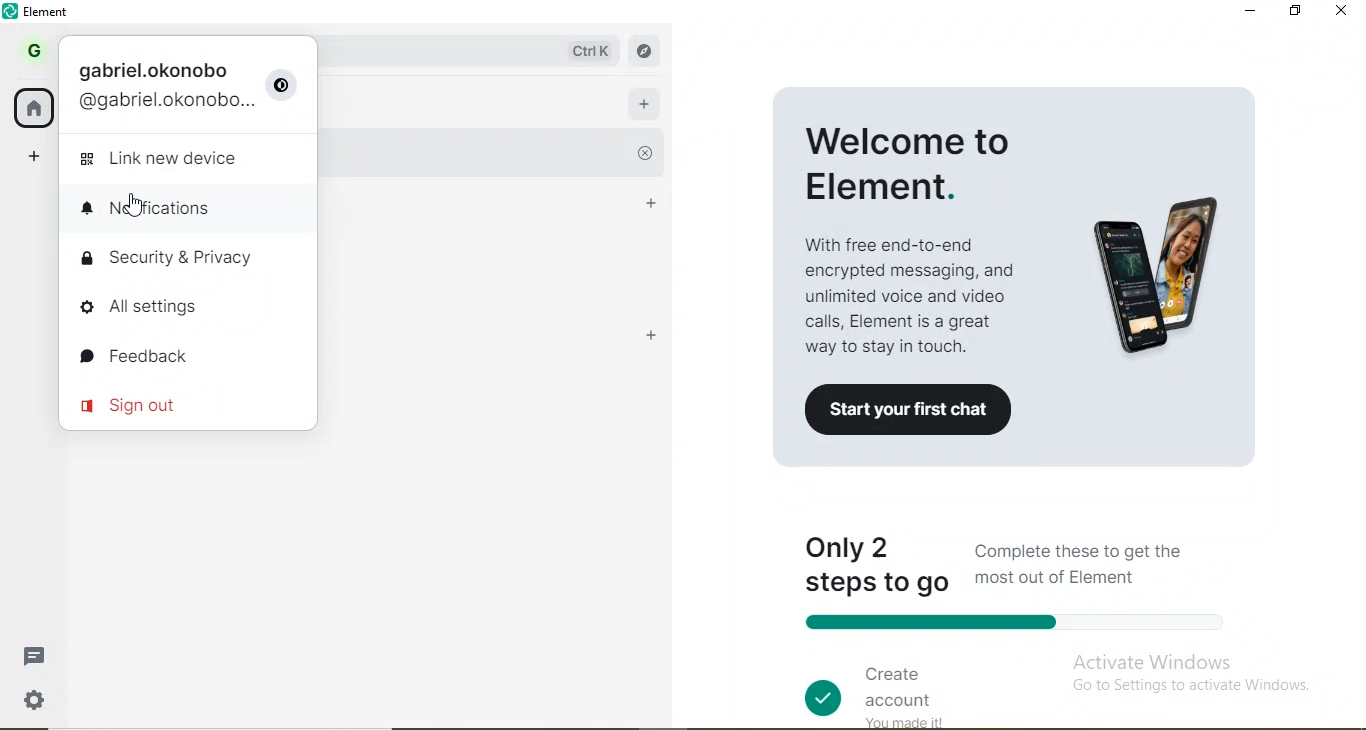  Describe the element at coordinates (11, 12) in the screenshot. I see `element logo` at that location.